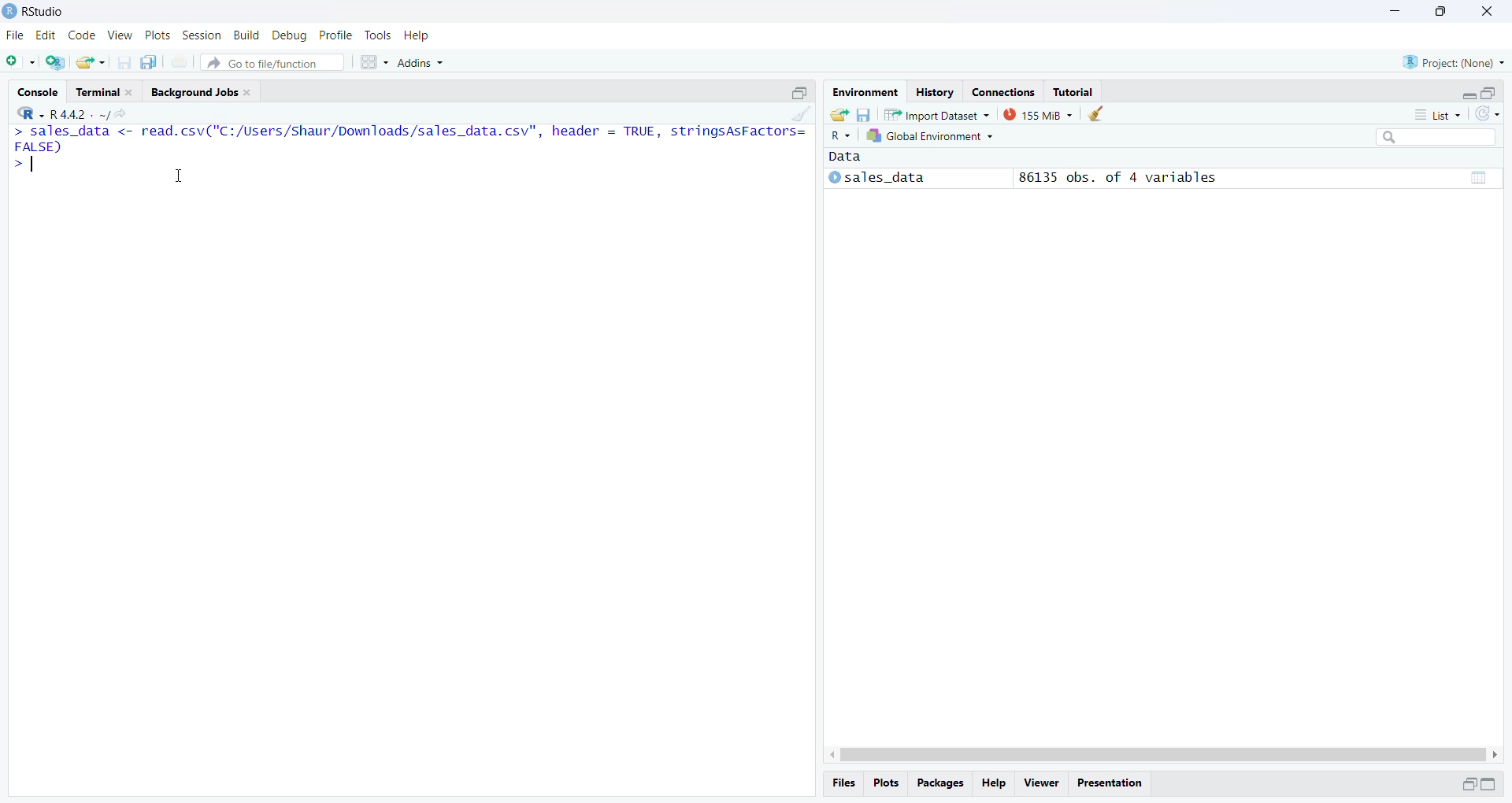  What do you see at coordinates (1072, 92) in the screenshot?
I see `Tutorial` at bounding box center [1072, 92].